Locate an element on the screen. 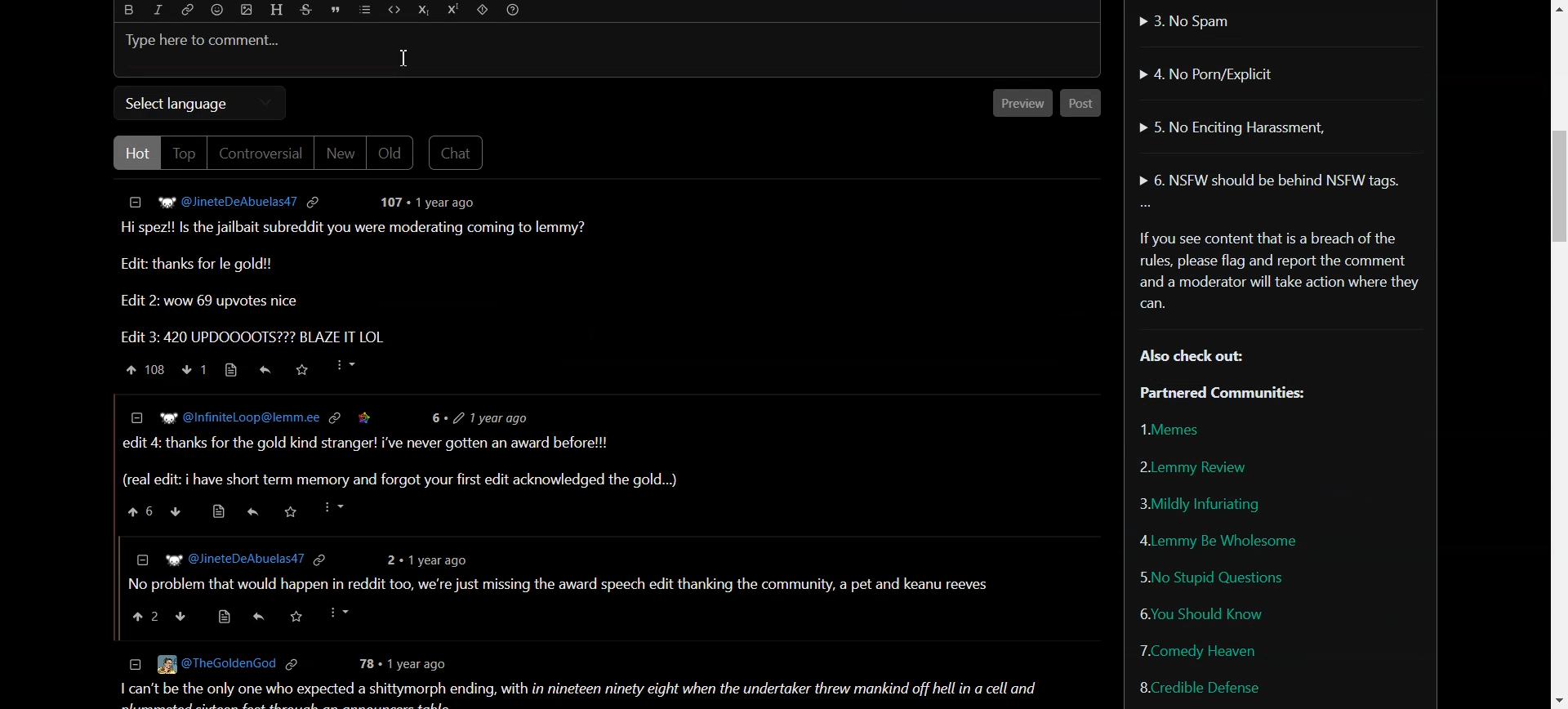 This screenshot has width=1568, height=709. Credible Defense is located at coordinates (1195, 686).